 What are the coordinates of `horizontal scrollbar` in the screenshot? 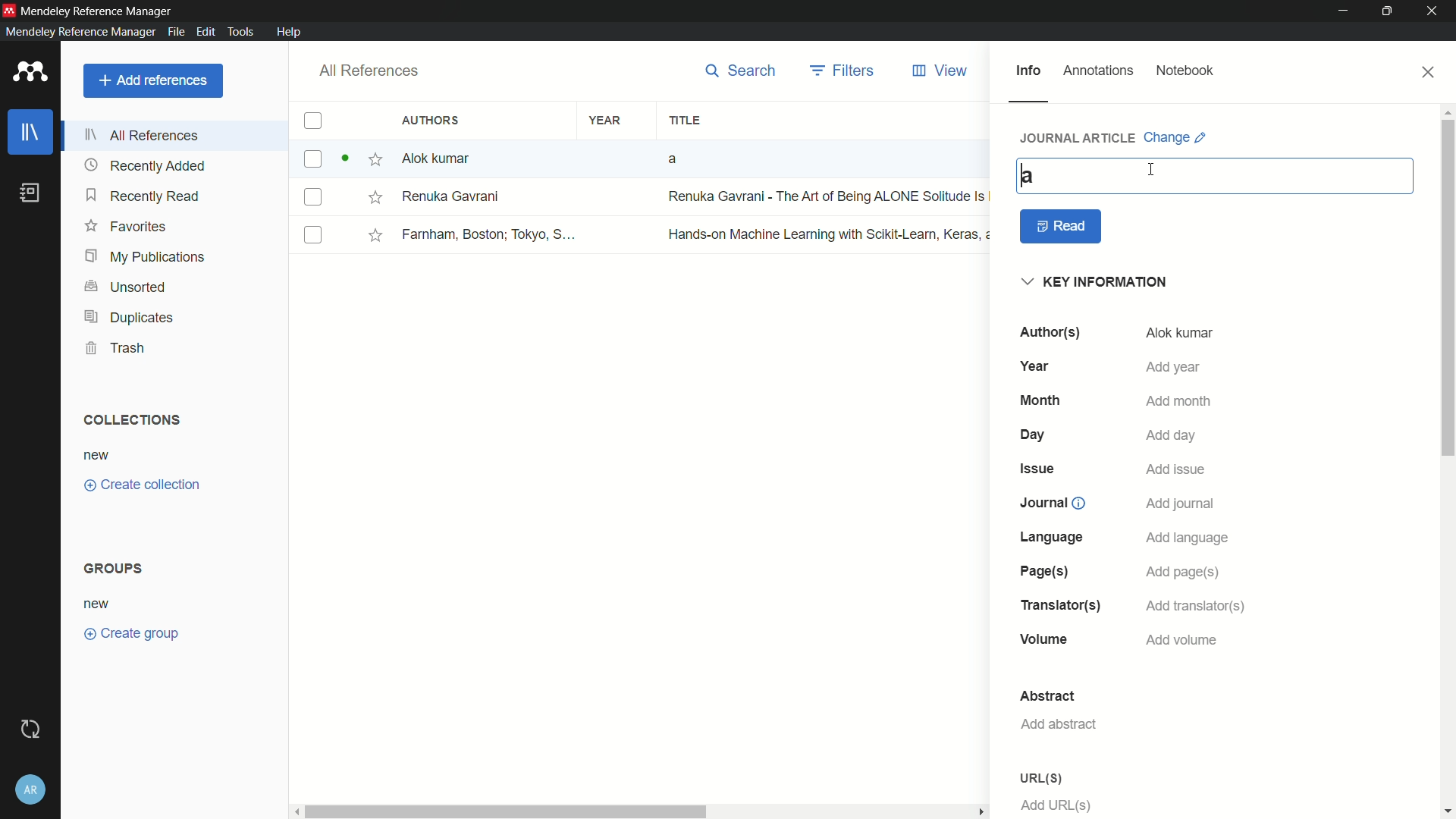 It's located at (642, 811).